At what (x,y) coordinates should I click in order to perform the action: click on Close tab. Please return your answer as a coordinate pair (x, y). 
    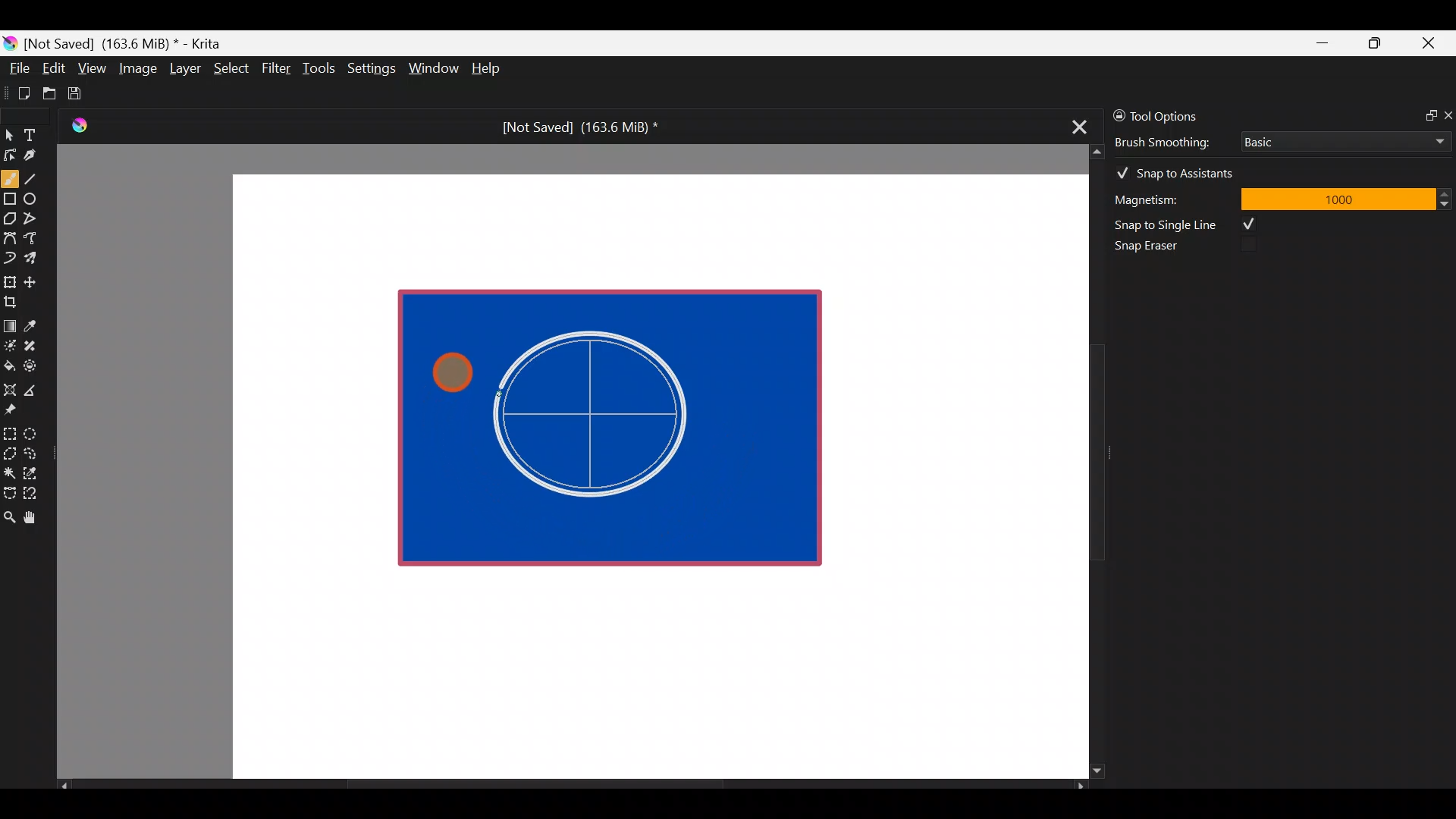
    Looking at the image, I should click on (1075, 124).